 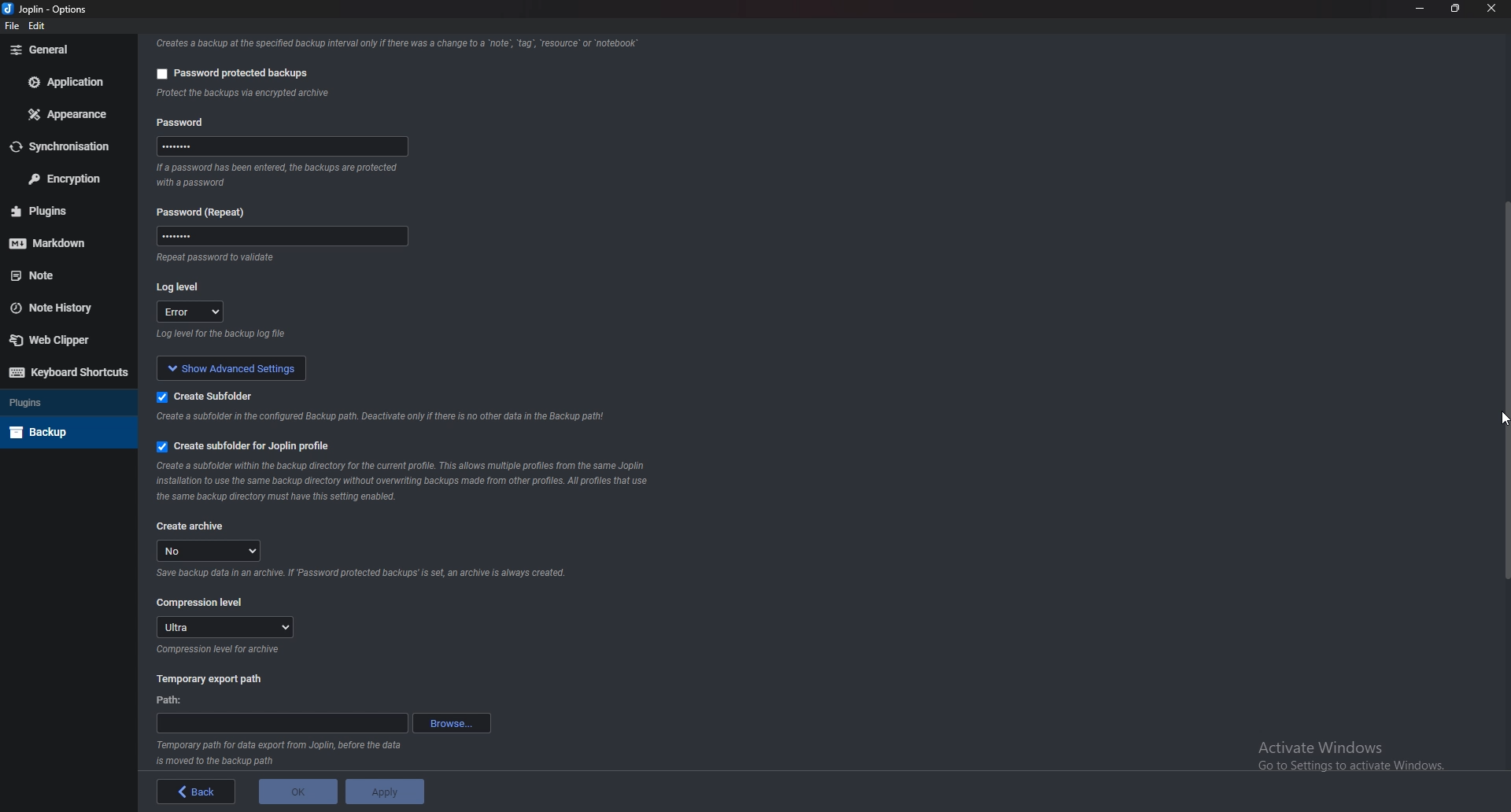 What do you see at coordinates (451, 723) in the screenshot?
I see `Browse` at bounding box center [451, 723].